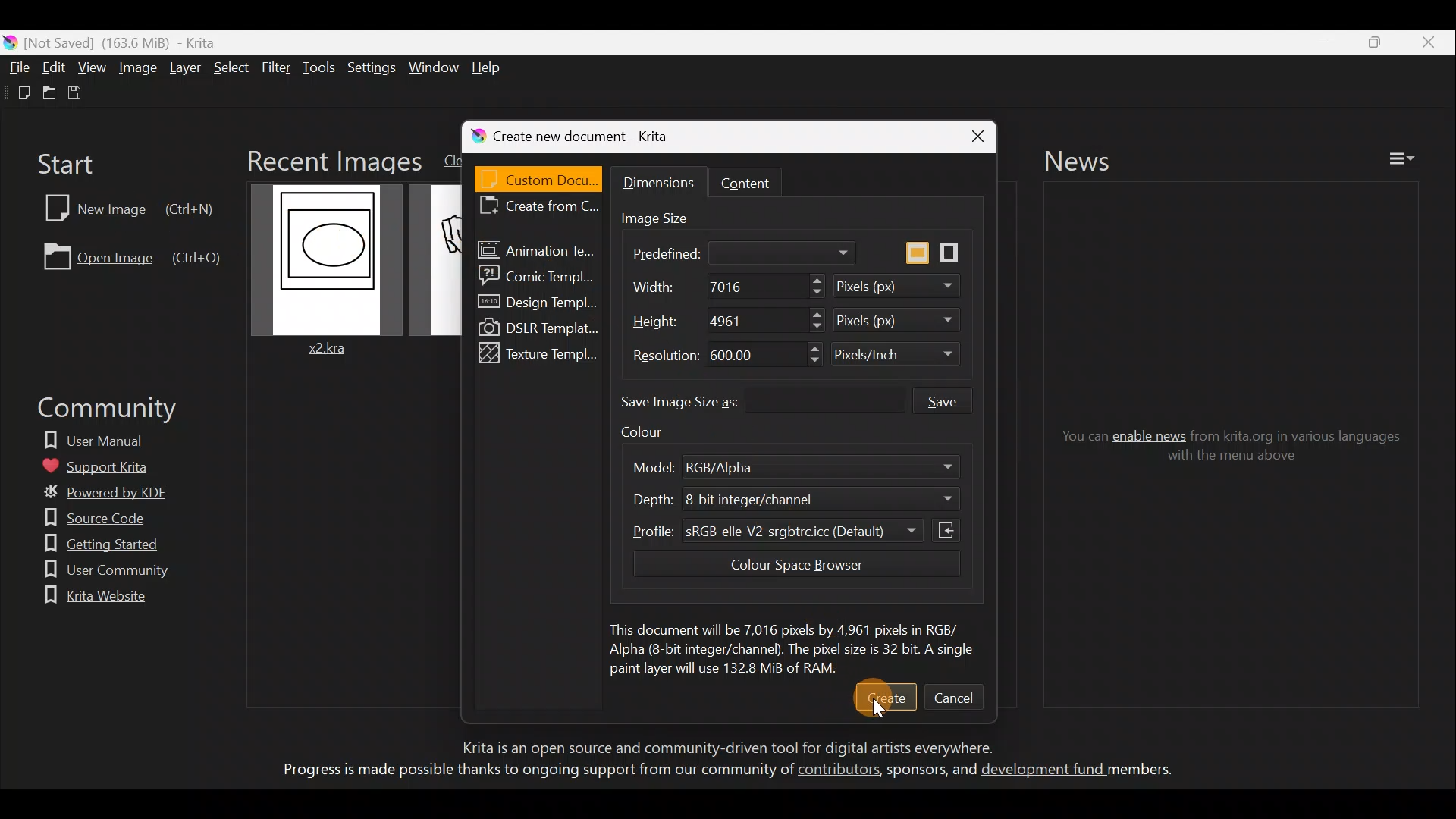  I want to click on Model dropdown, so click(912, 468).